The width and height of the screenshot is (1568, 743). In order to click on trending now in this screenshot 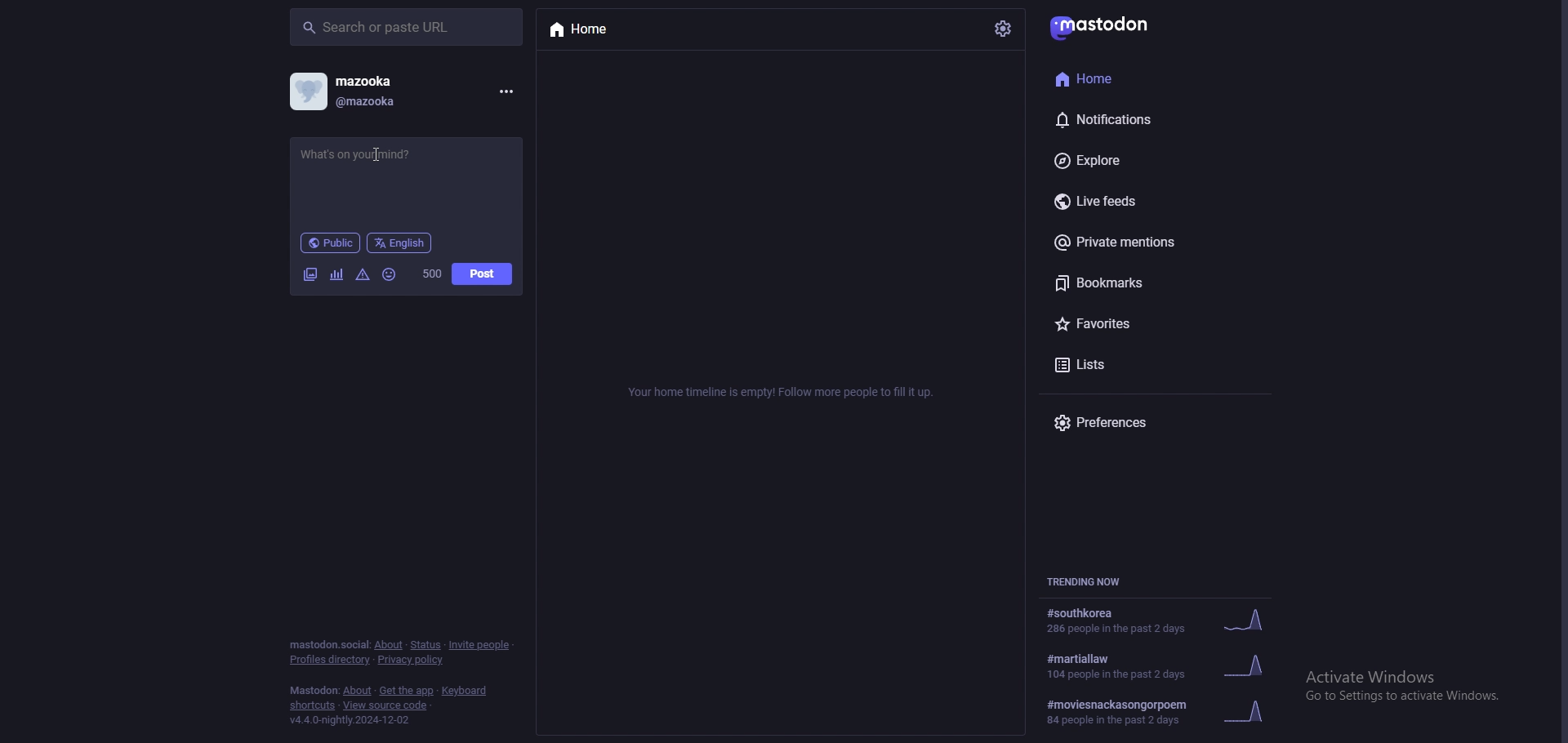, I will do `click(1090, 580)`.